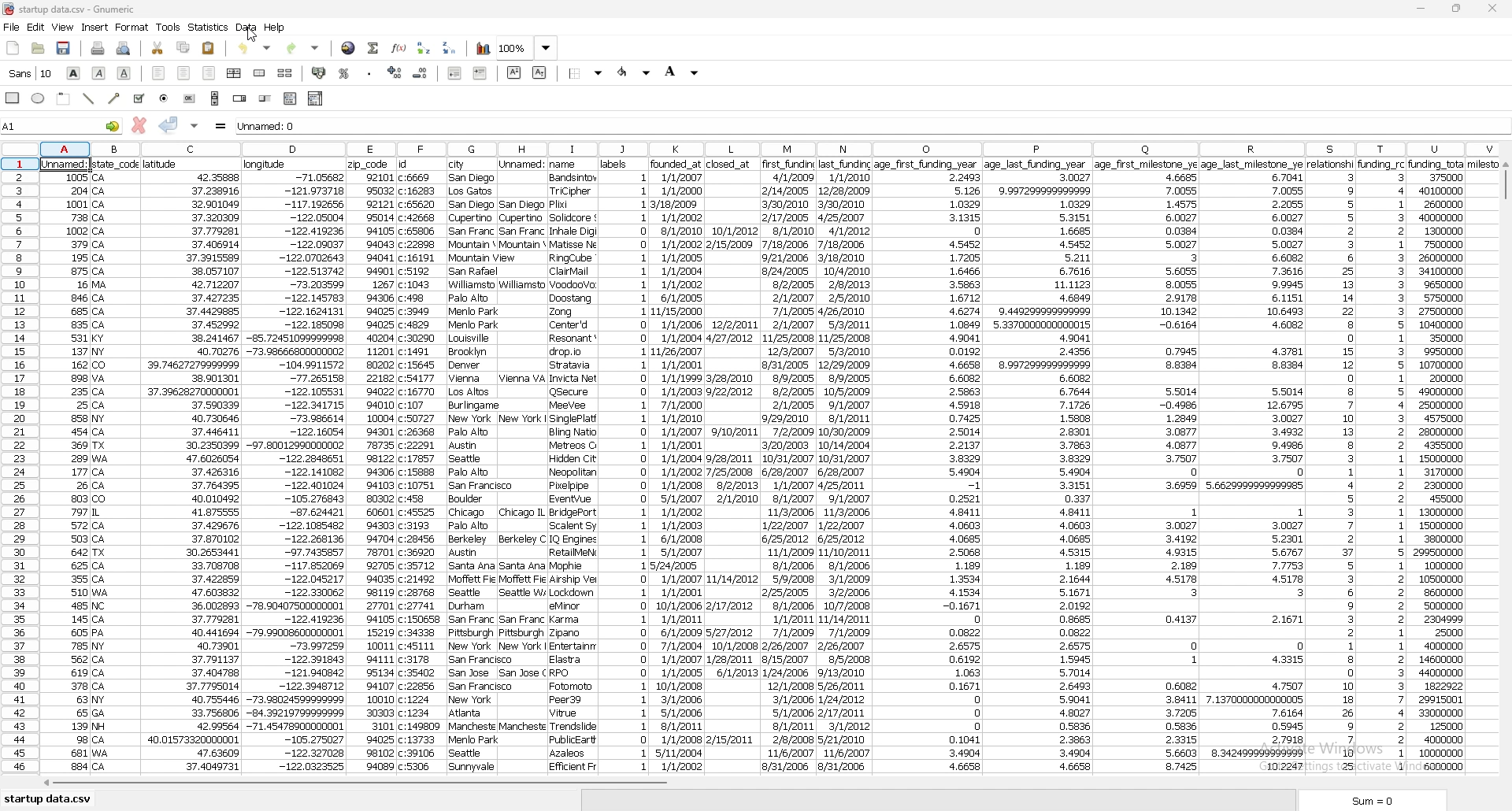 The height and width of the screenshot is (811, 1512). I want to click on cell input, so click(870, 126).